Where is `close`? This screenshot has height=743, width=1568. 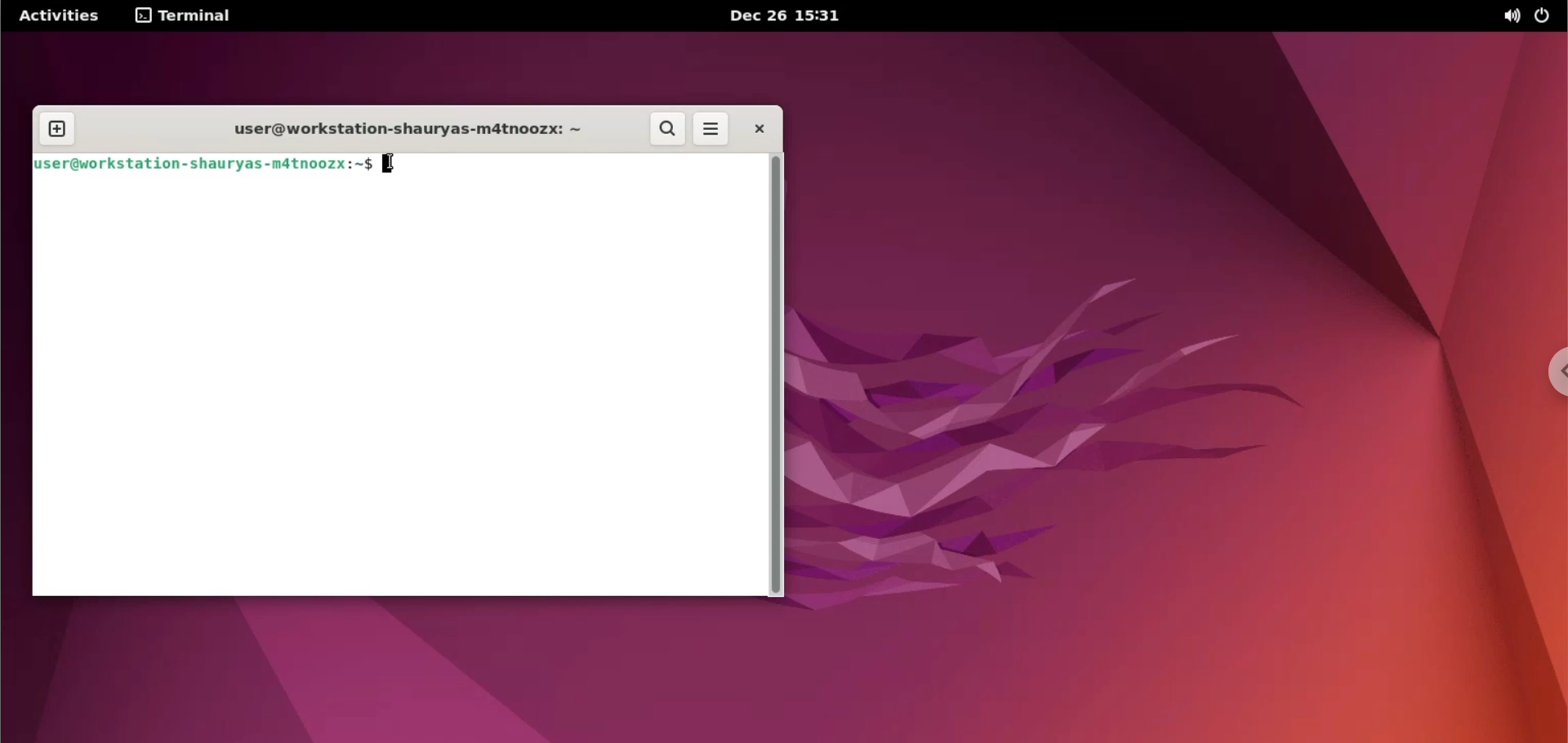
close is located at coordinates (755, 130).